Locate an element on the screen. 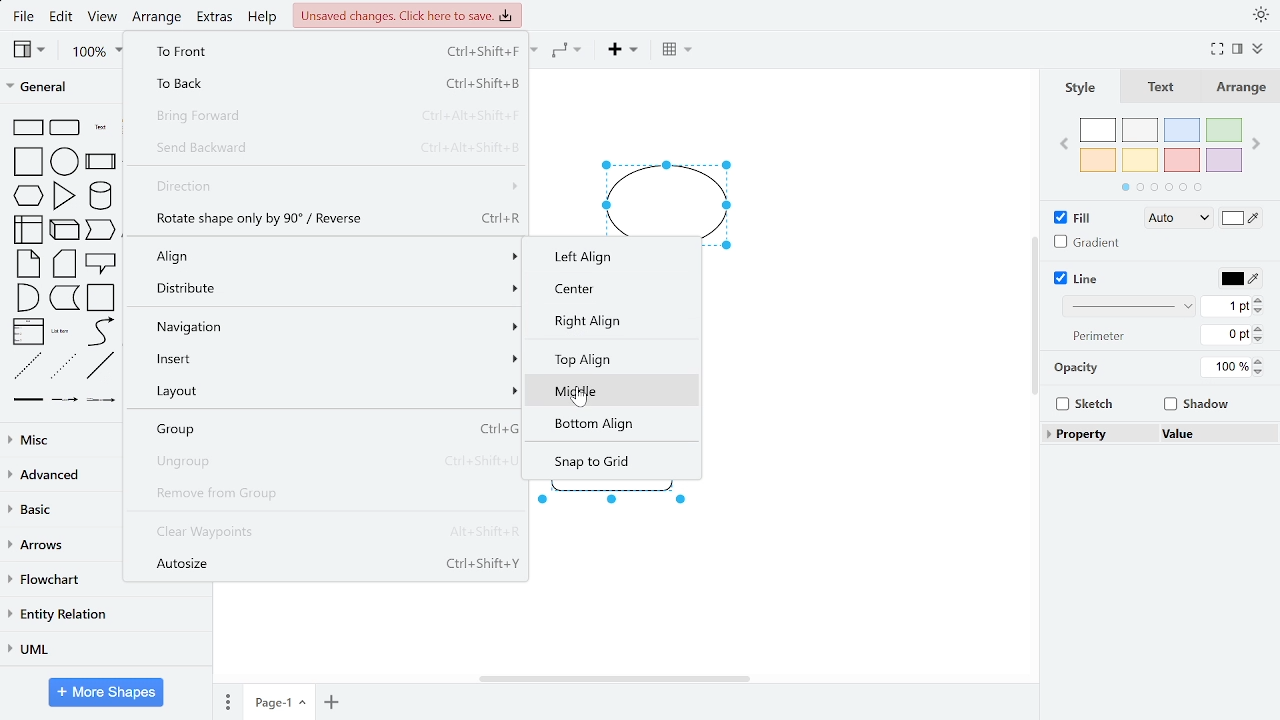 Image resolution: width=1280 pixels, height=720 pixels. violet is located at coordinates (1223, 160).